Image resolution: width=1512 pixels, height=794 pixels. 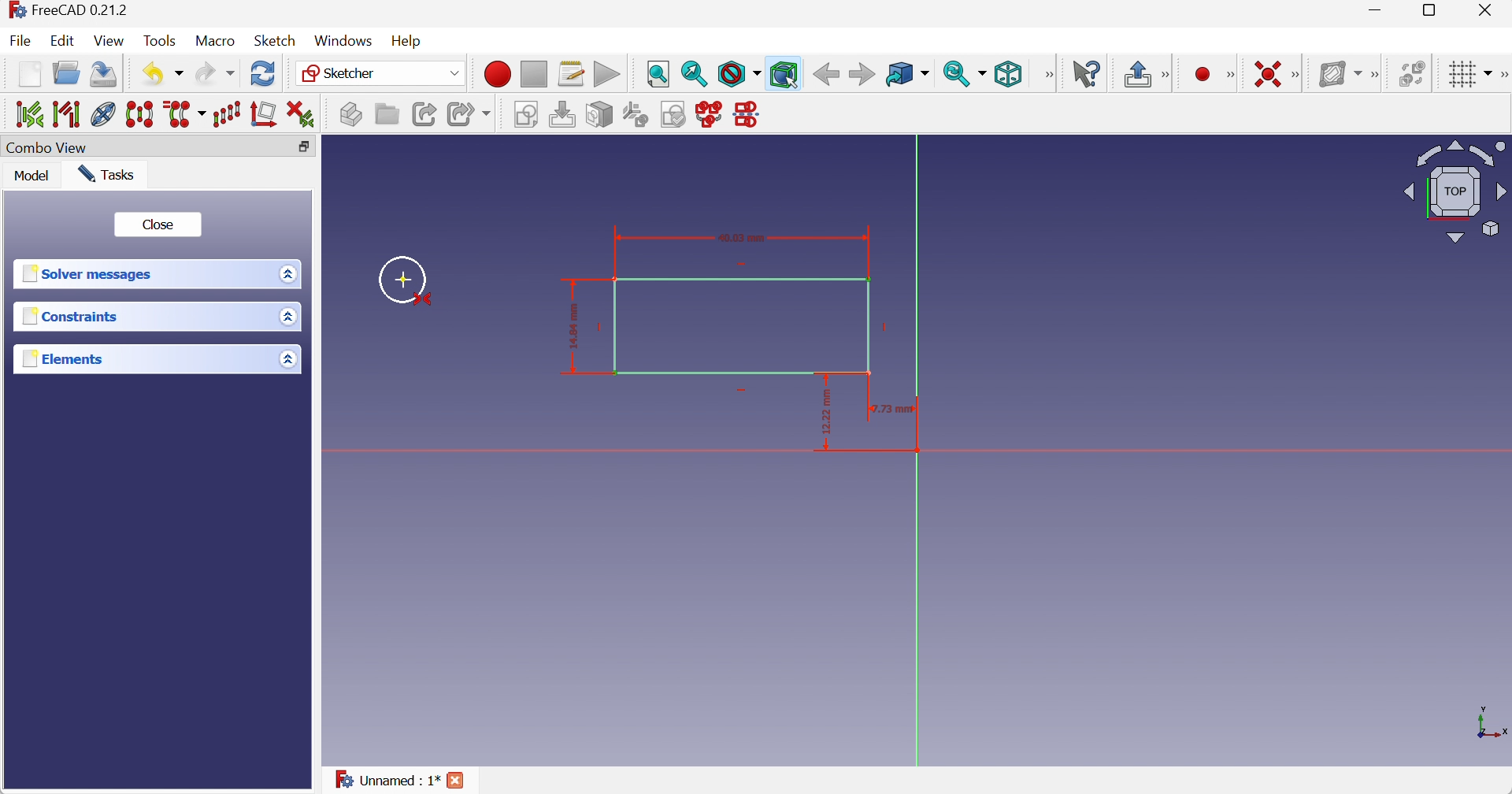 I want to click on [View], so click(x=1046, y=75).